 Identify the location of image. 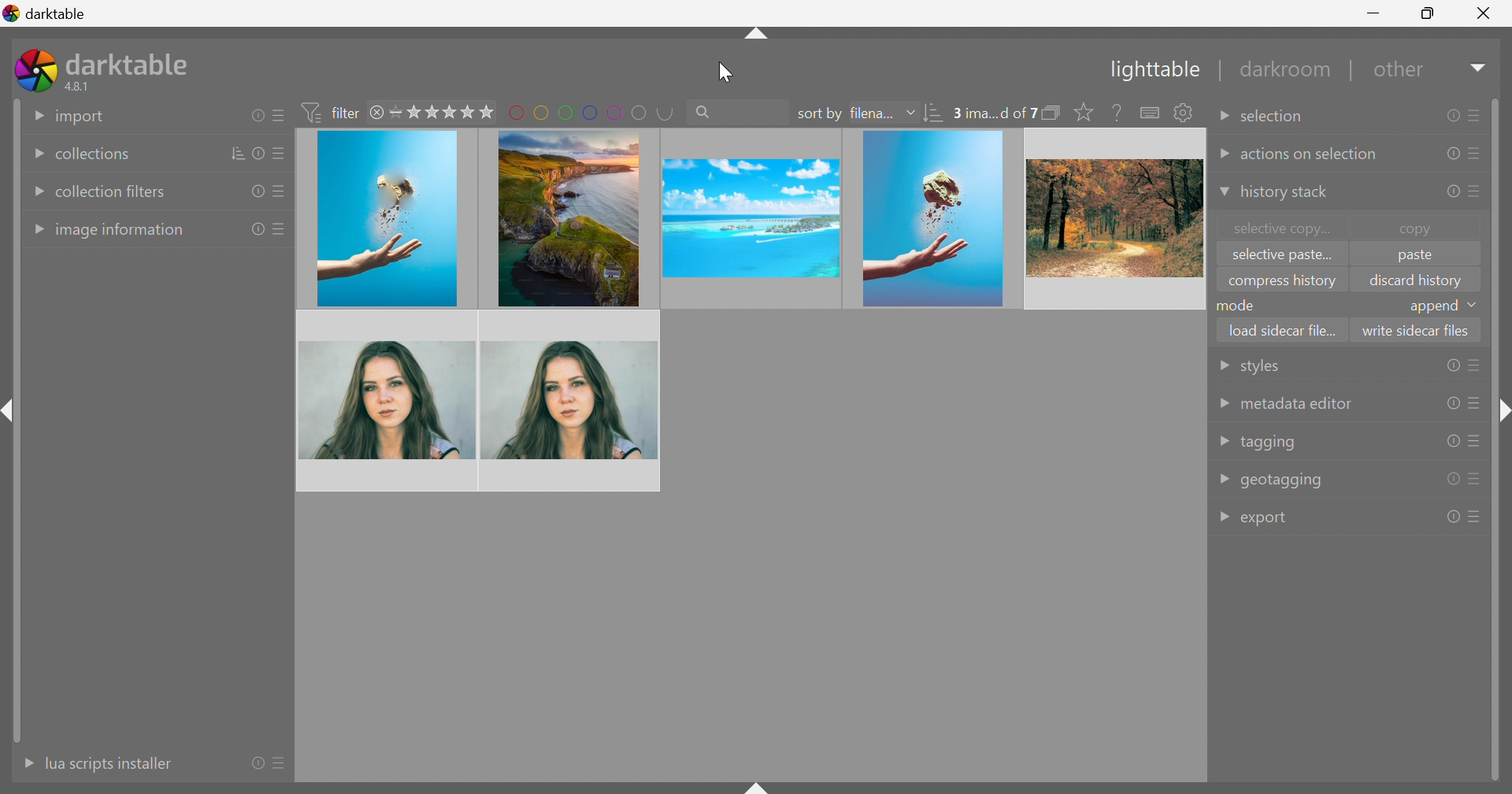
(388, 400).